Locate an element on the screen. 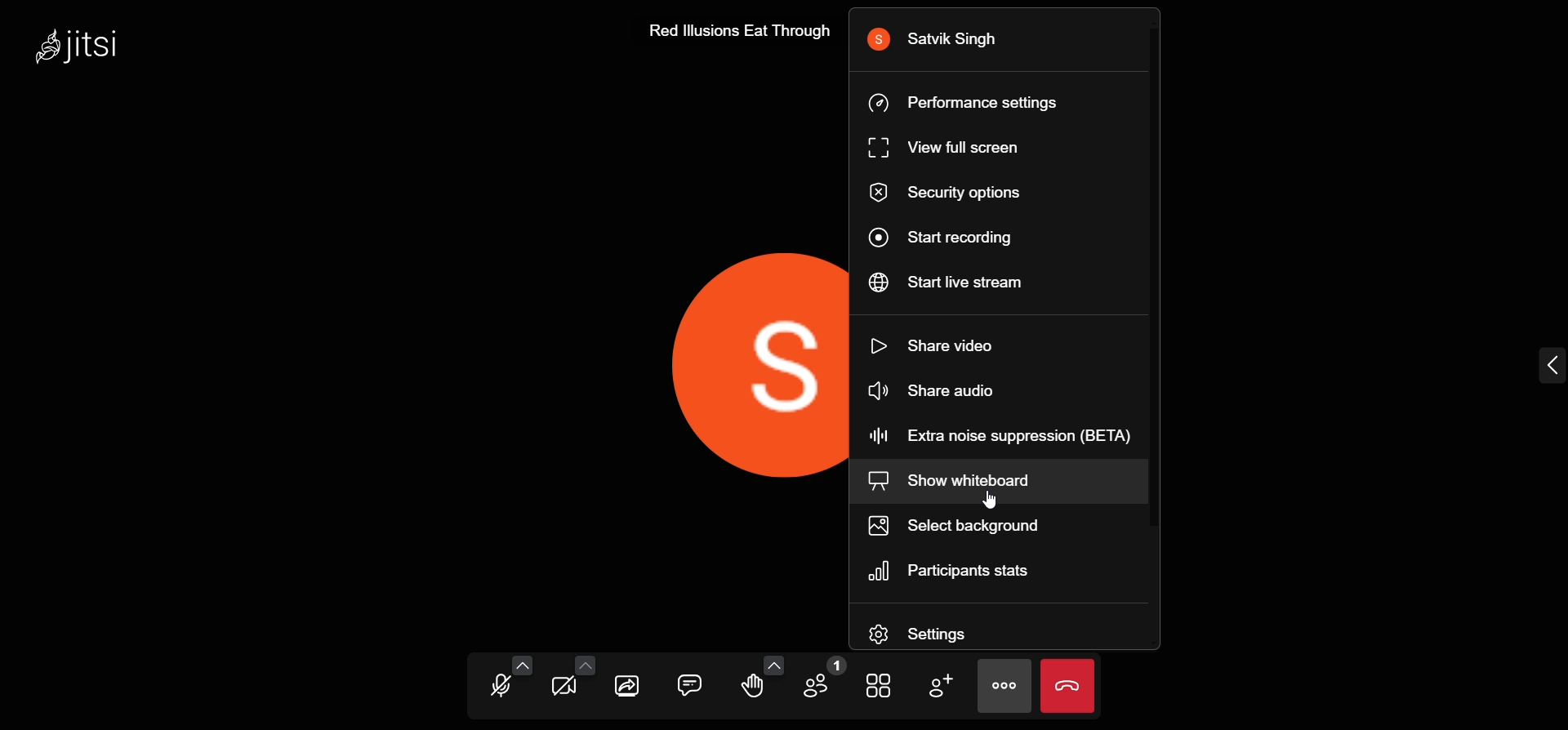  more is located at coordinates (1006, 686).